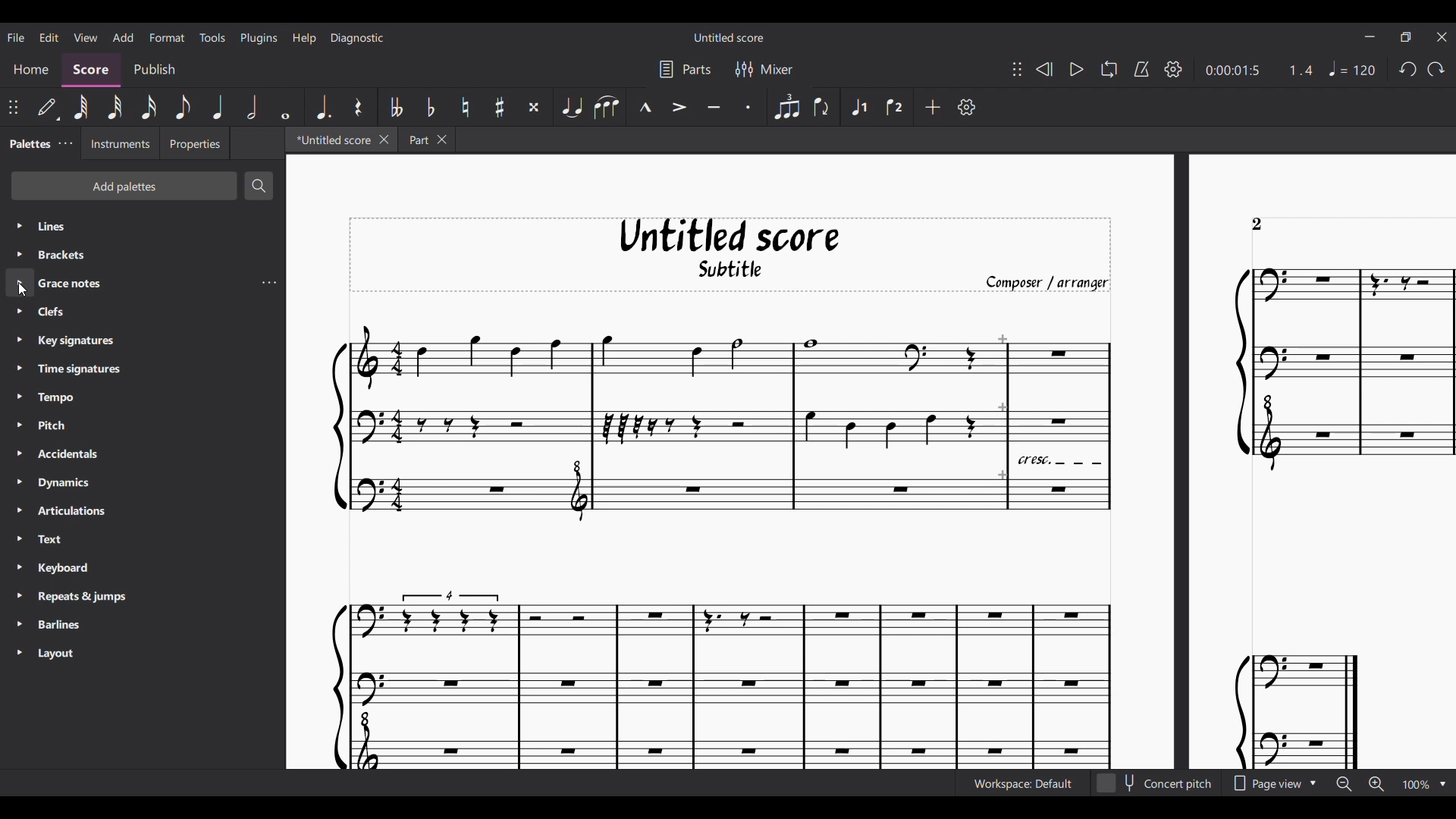 Image resolution: width=1456 pixels, height=819 pixels. What do you see at coordinates (858, 107) in the screenshot?
I see `Voice 1` at bounding box center [858, 107].